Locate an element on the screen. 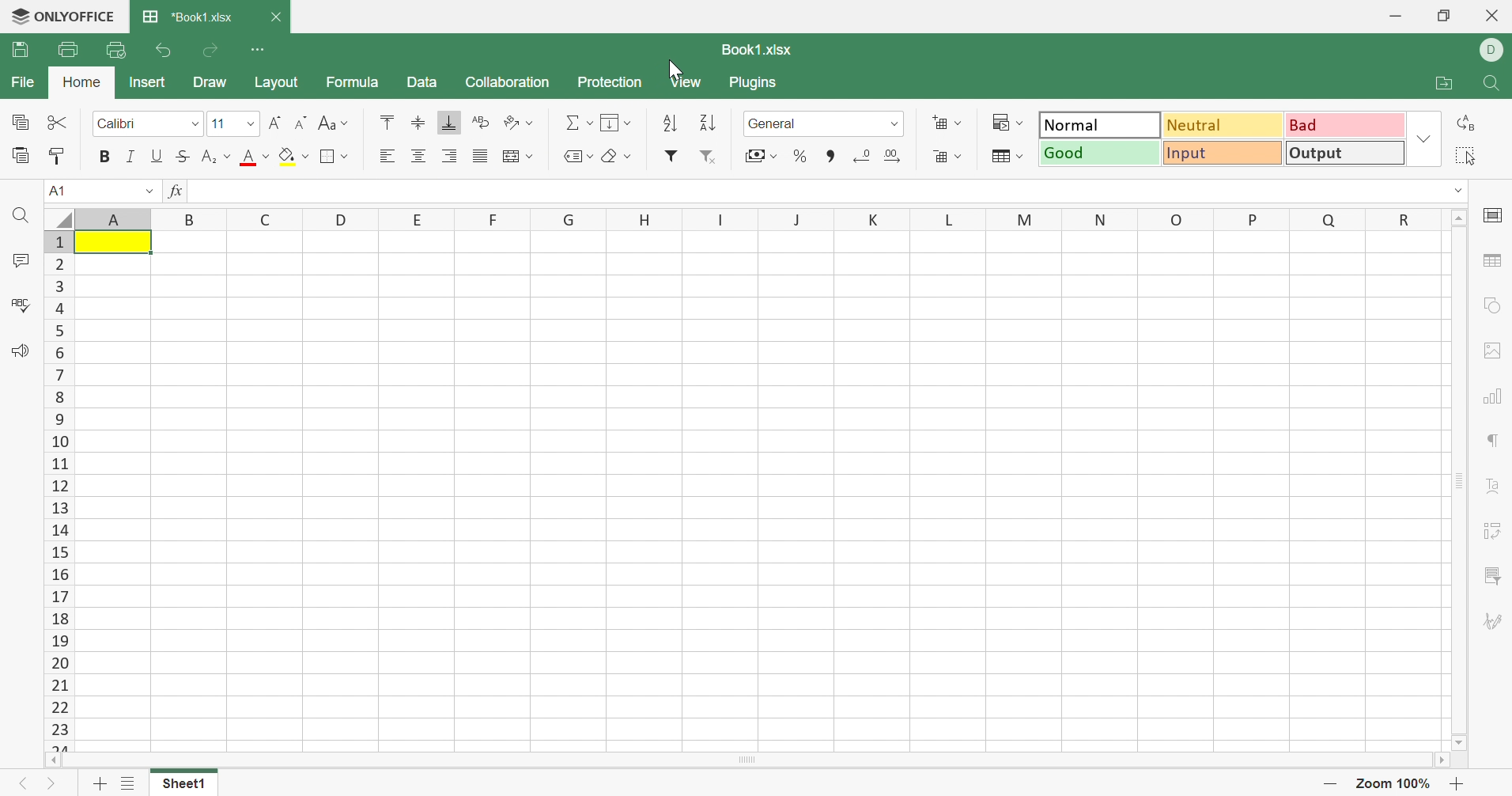 The height and width of the screenshot is (796, 1512). Conditional formatting is located at coordinates (1006, 122).